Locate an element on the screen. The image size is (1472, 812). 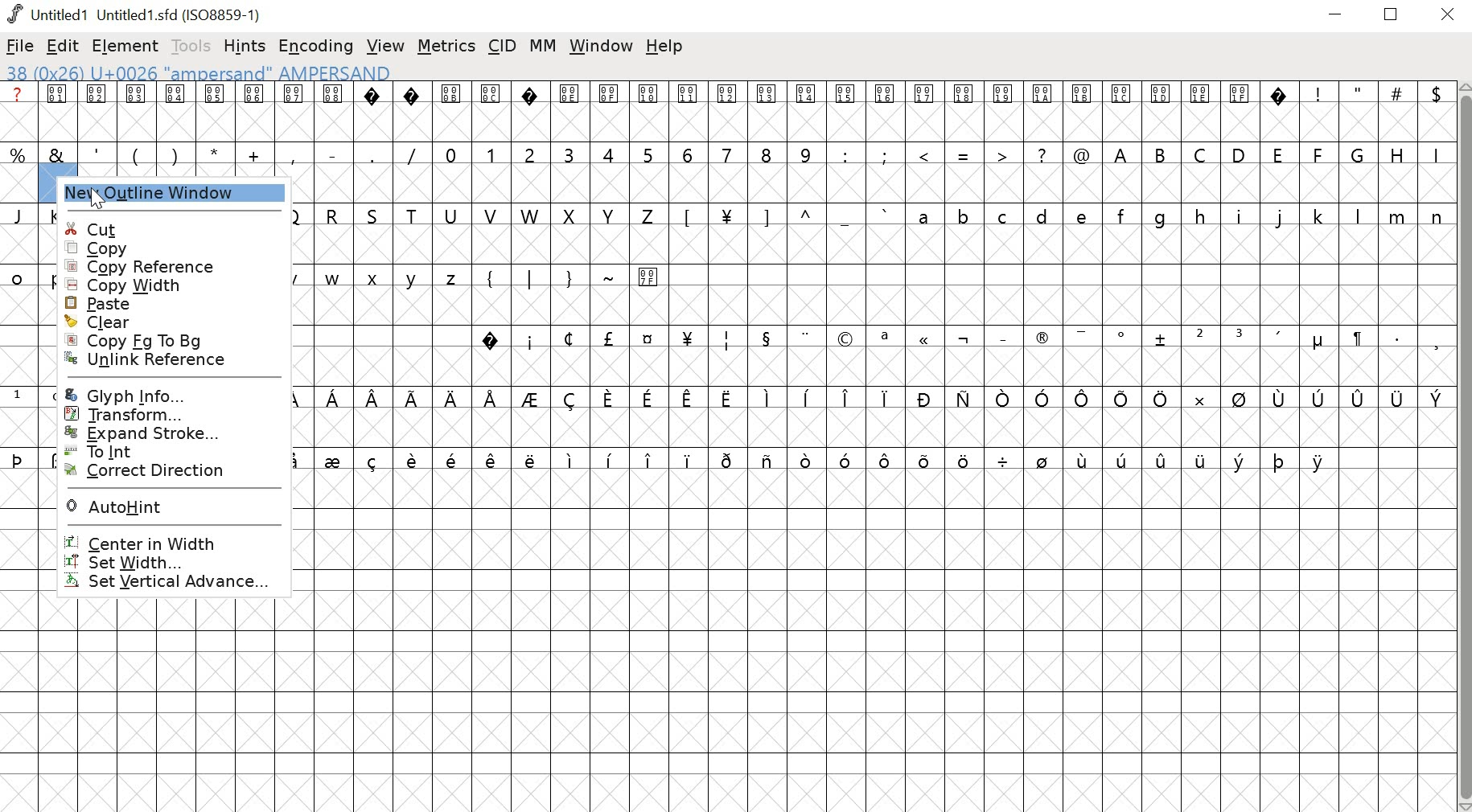
000B is located at coordinates (450, 111).